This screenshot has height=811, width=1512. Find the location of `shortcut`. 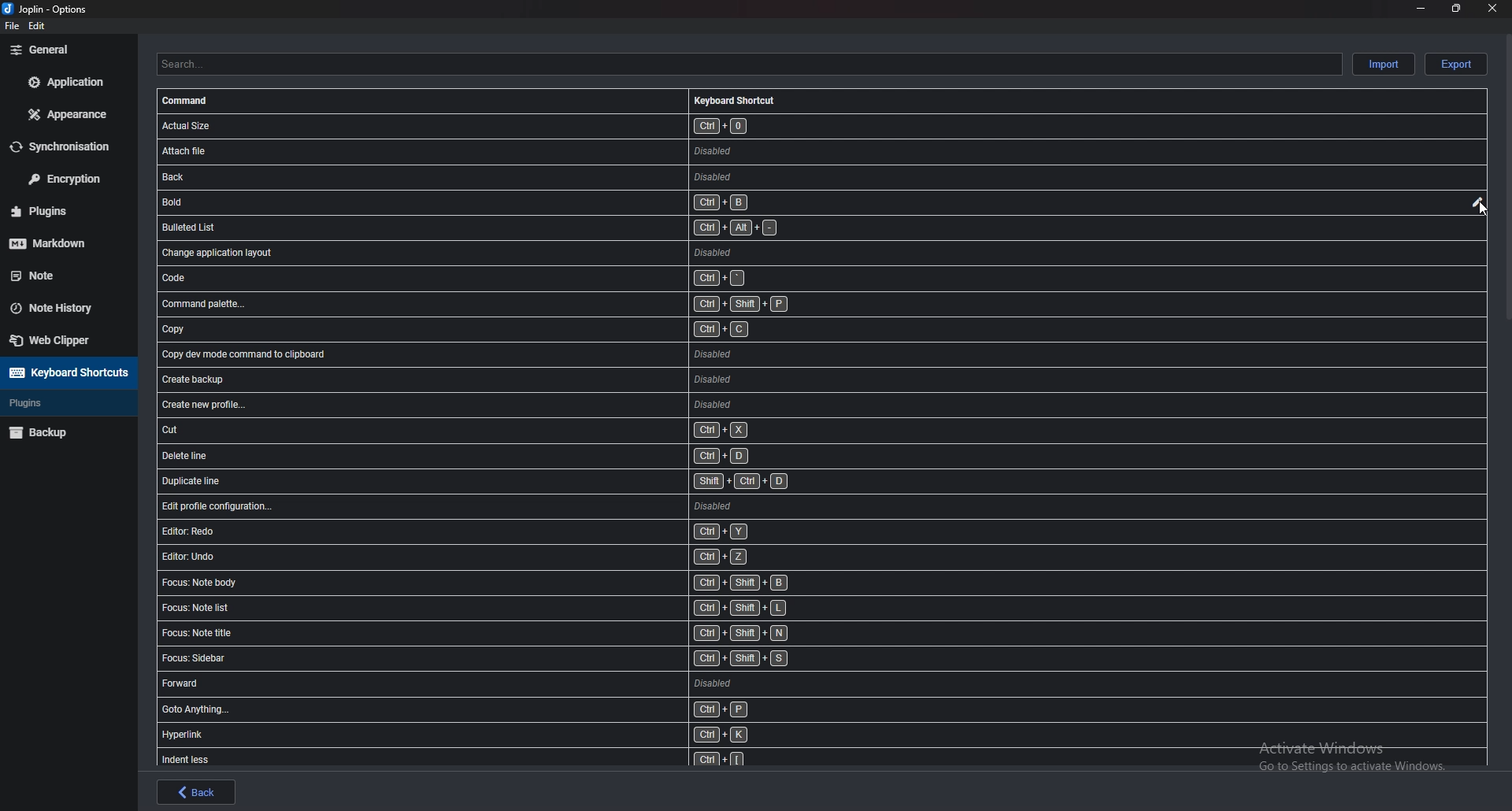

shortcut is located at coordinates (540, 457).